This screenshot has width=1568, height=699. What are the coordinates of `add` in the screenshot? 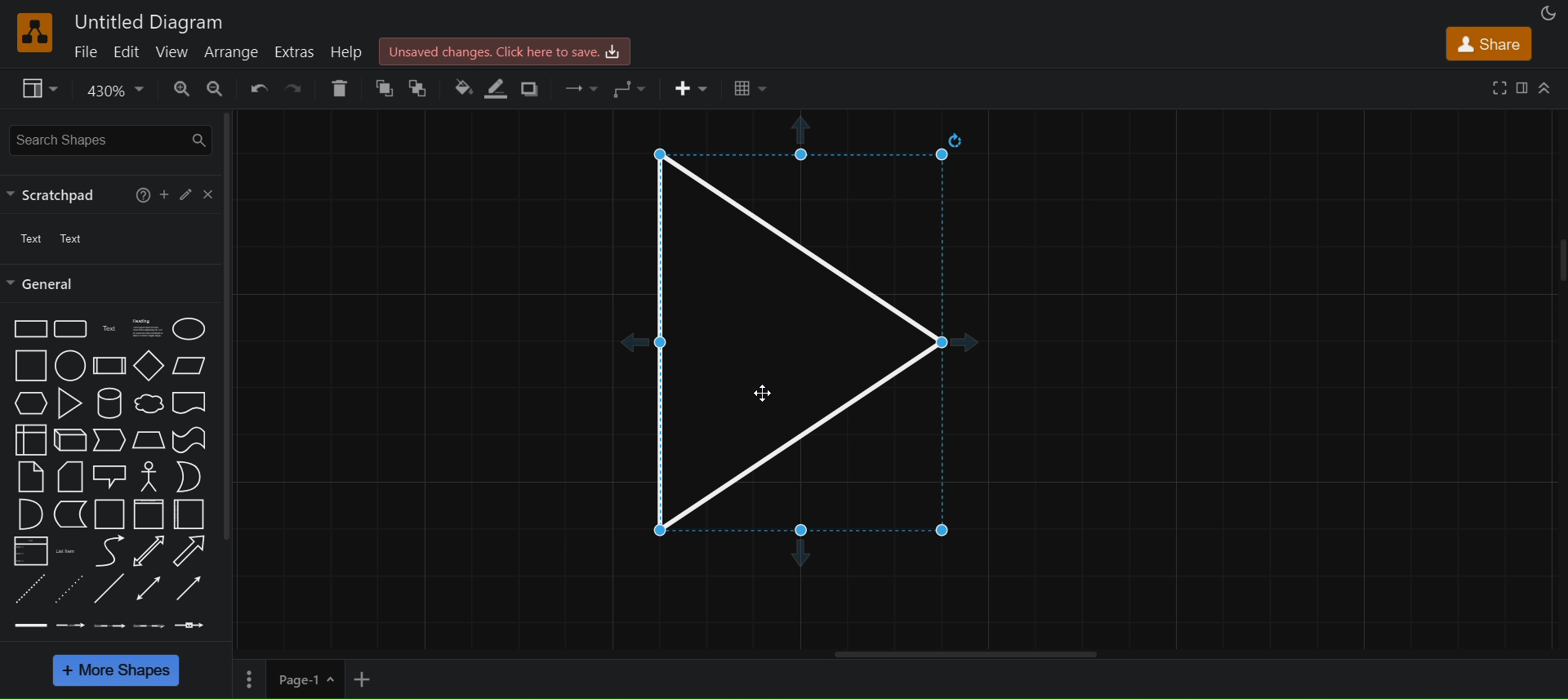 It's located at (165, 192).